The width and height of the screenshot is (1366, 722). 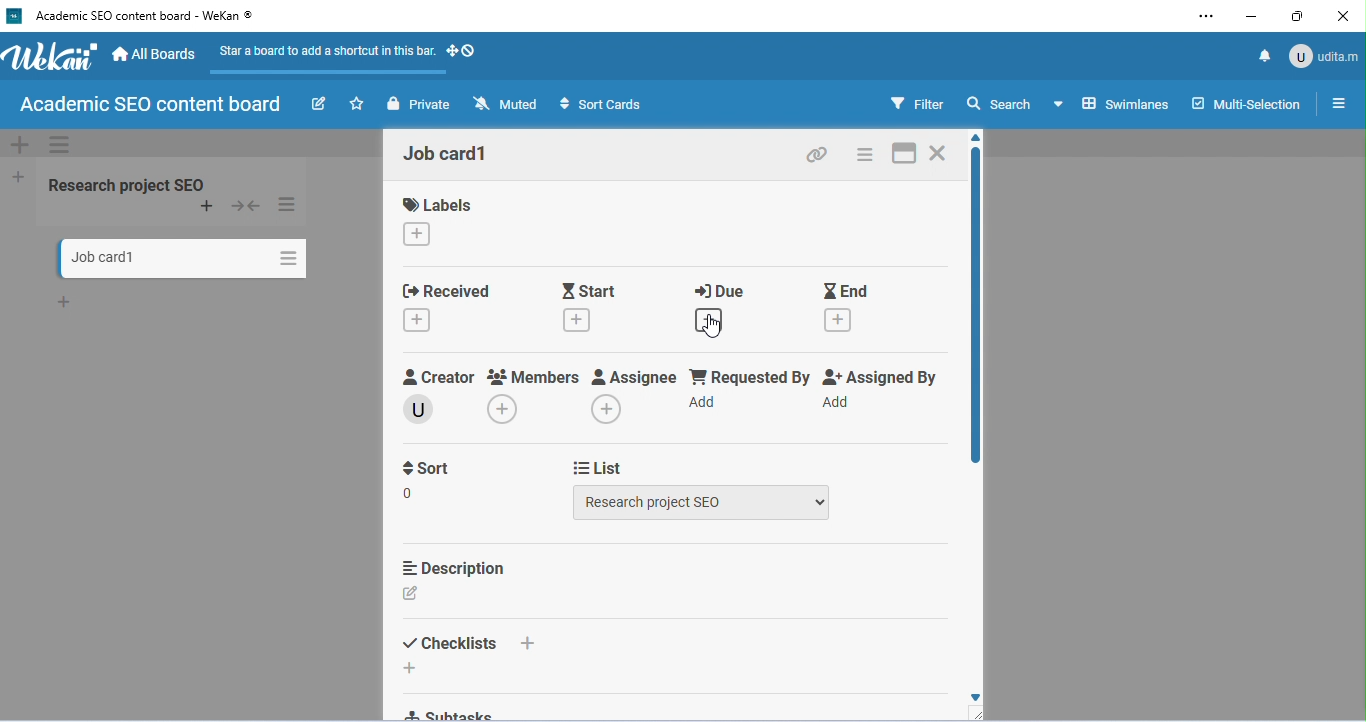 I want to click on maximize card, so click(x=906, y=154).